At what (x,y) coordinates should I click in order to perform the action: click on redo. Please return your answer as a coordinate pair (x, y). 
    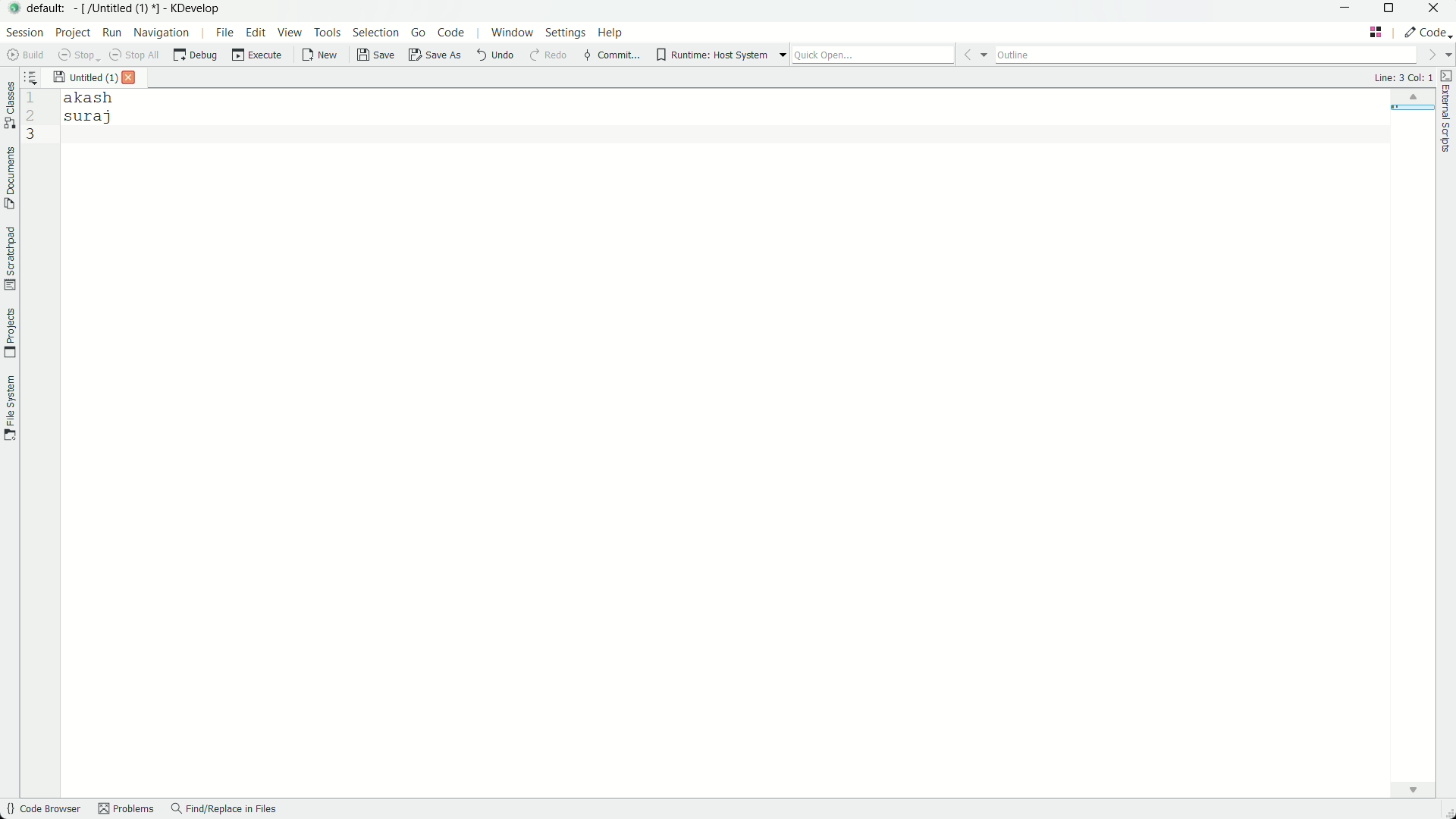
    Looking at the image, I should click on (548, 57).